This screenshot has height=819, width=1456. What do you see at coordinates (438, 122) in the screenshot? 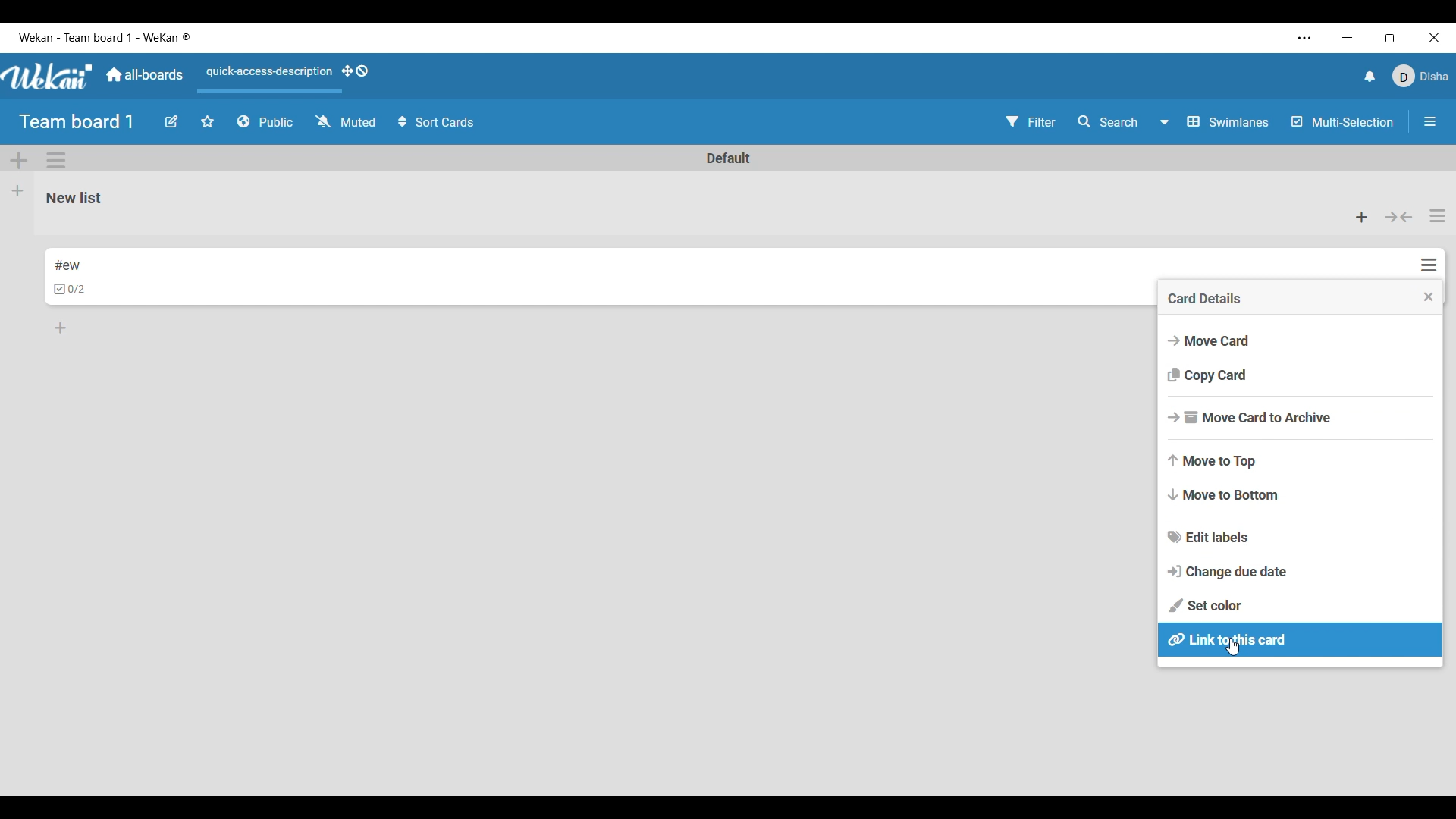
I see `Sort cards` at bounding box center [438, 122].